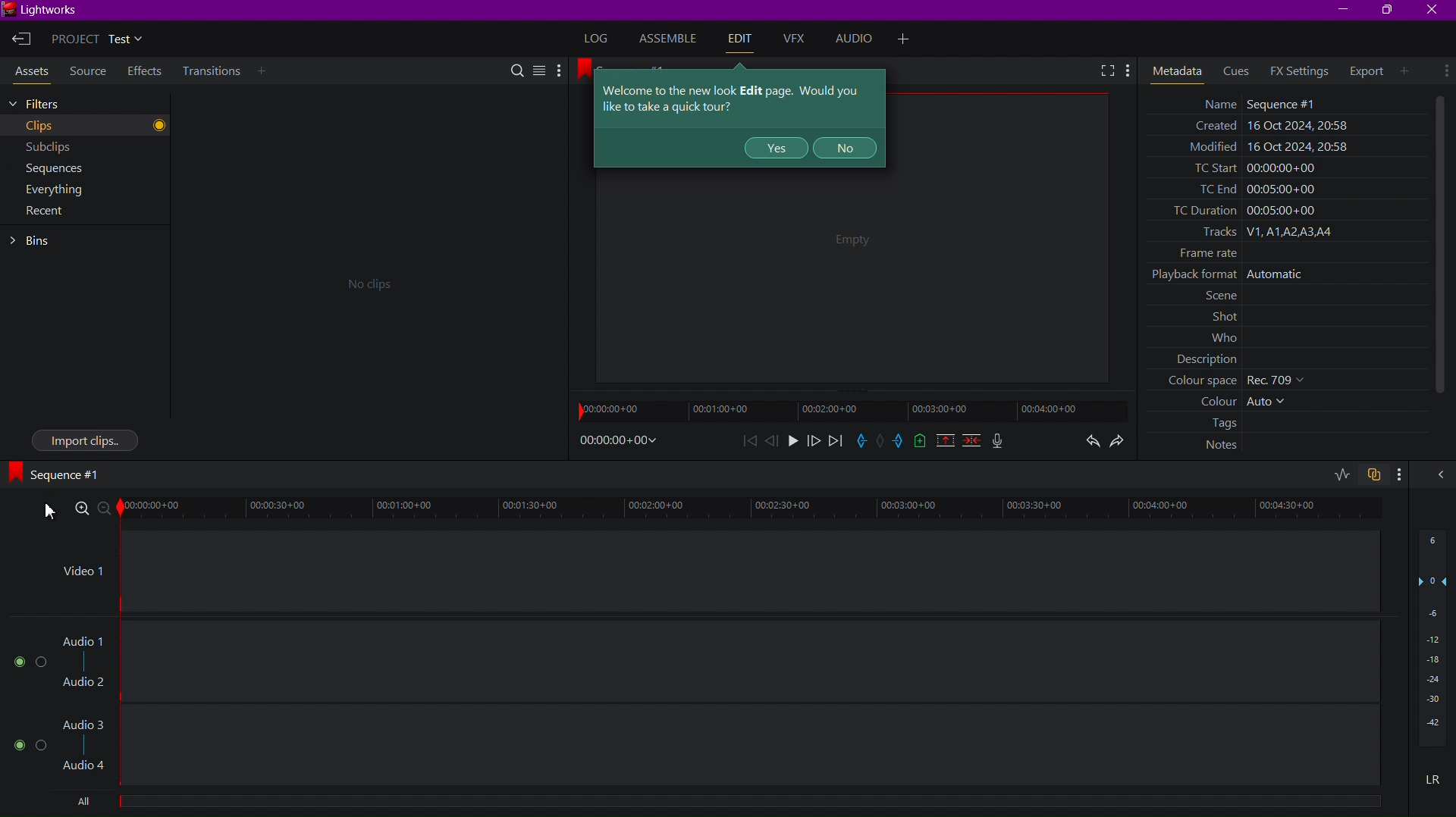 The height and width of the screenshot is (817, 1456). Describe the element at coordinates (1373, 476) in the screenshot. I see `copy` at that location.